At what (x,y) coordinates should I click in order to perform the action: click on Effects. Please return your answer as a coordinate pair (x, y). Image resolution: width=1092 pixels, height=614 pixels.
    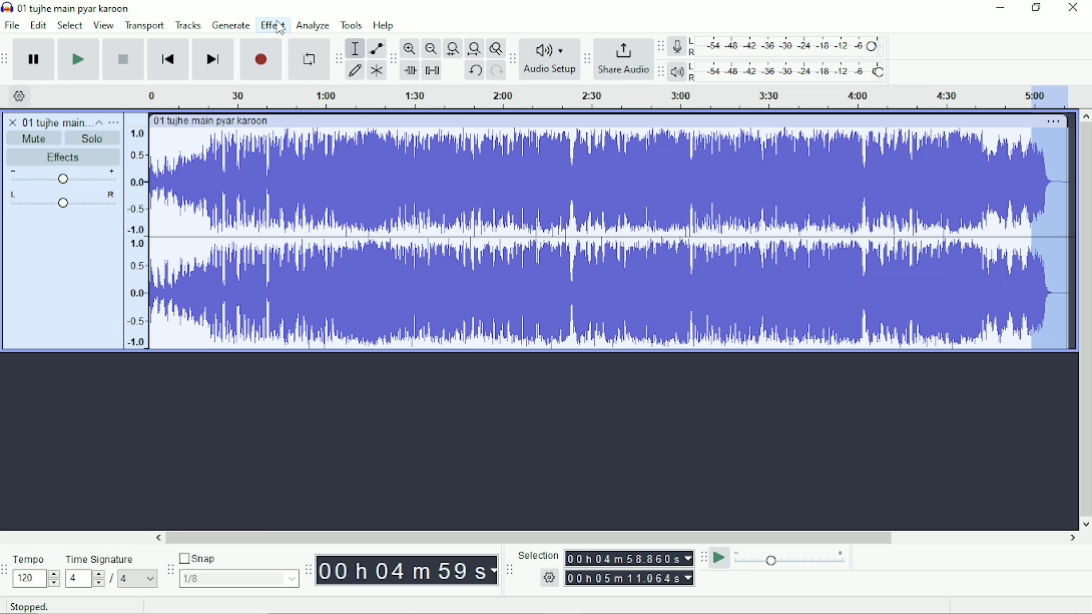
    Looking at the image, I should click on (63, 157).